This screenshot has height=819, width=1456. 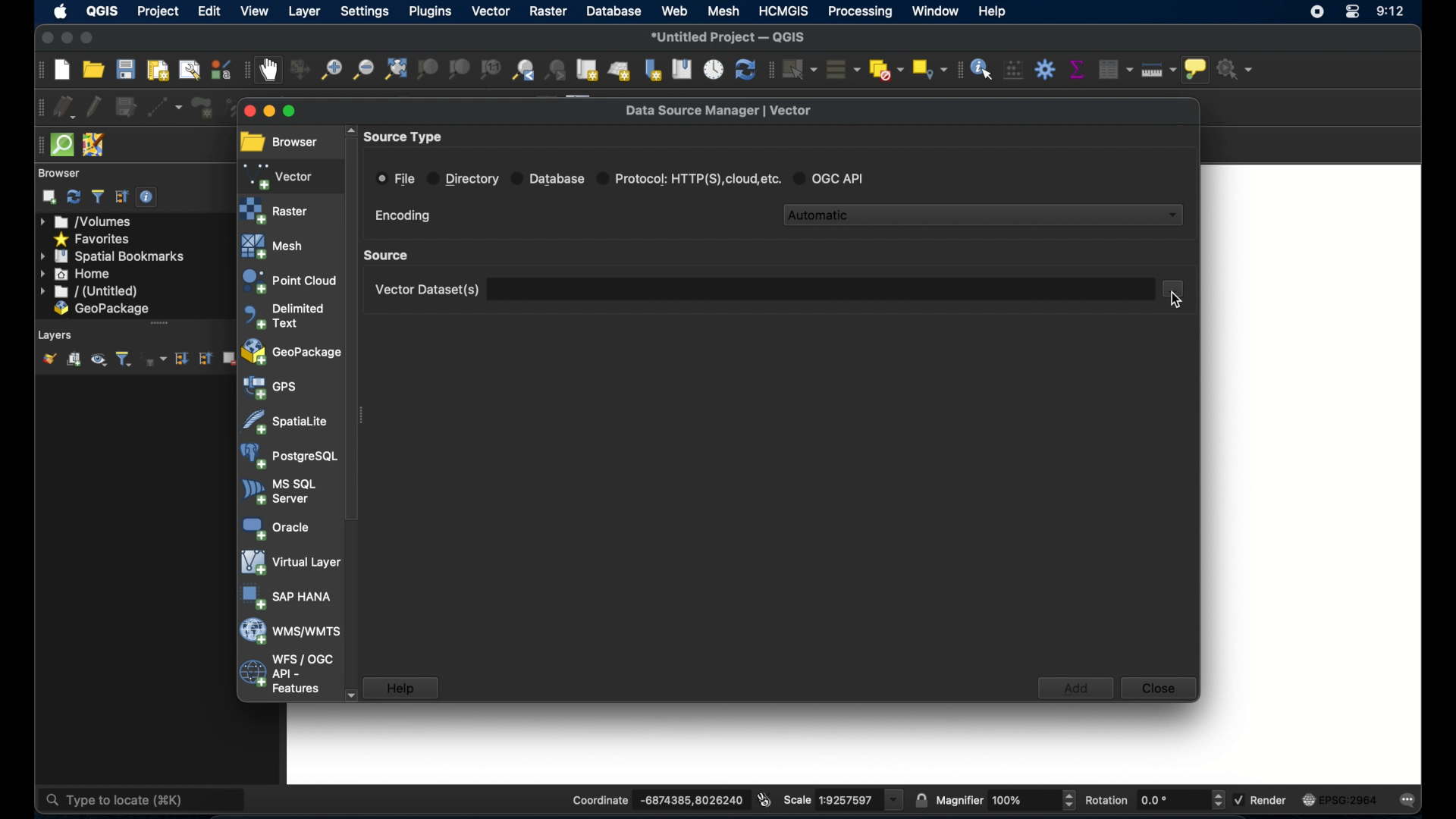 What do you see at coordinates (288, 281) in the screenshot?
I see `point cloud ` at bounding box center [288, 281].